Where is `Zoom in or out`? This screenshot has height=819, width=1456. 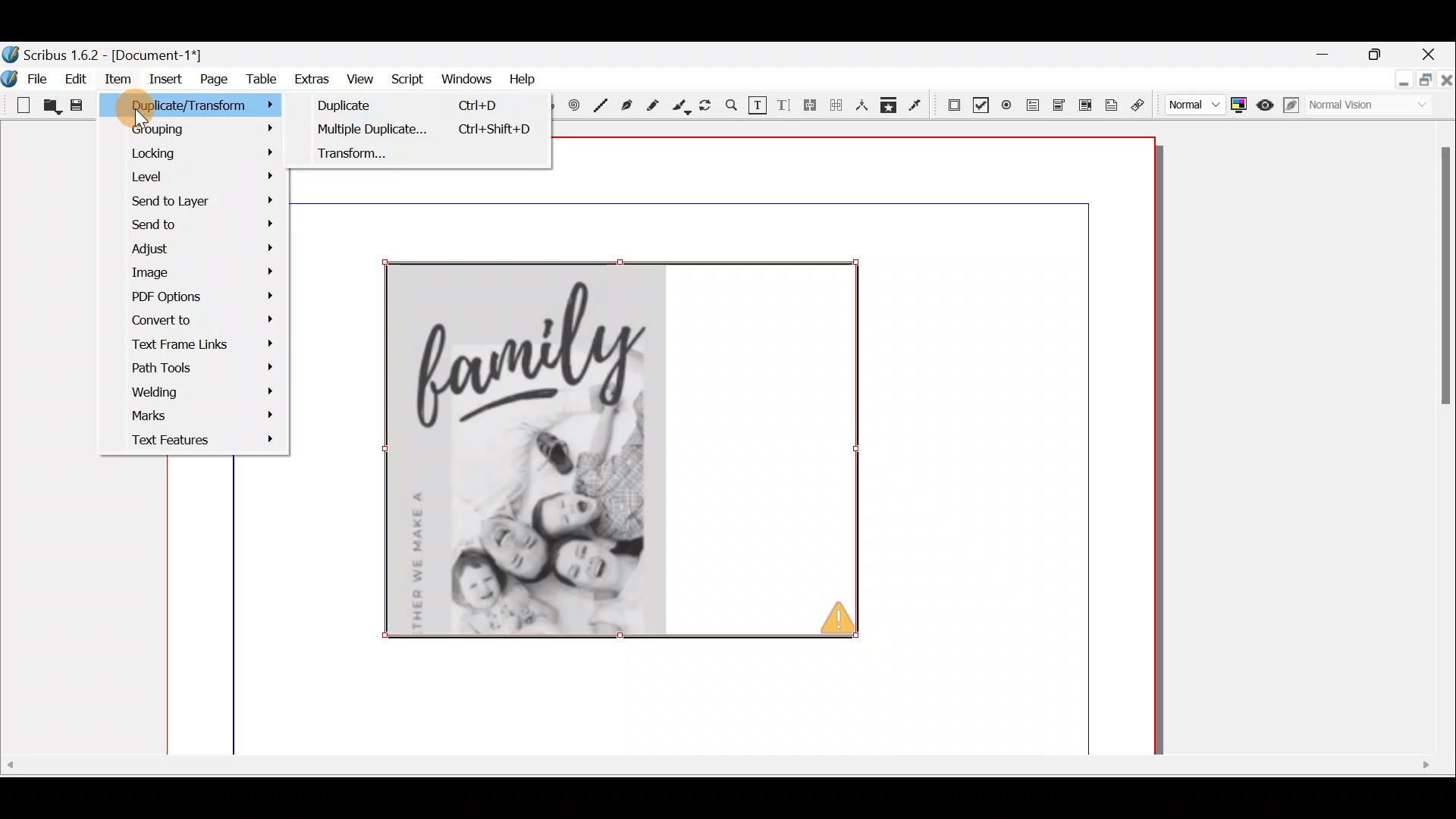
Zoom in or out is located at coordinates (732, 107).